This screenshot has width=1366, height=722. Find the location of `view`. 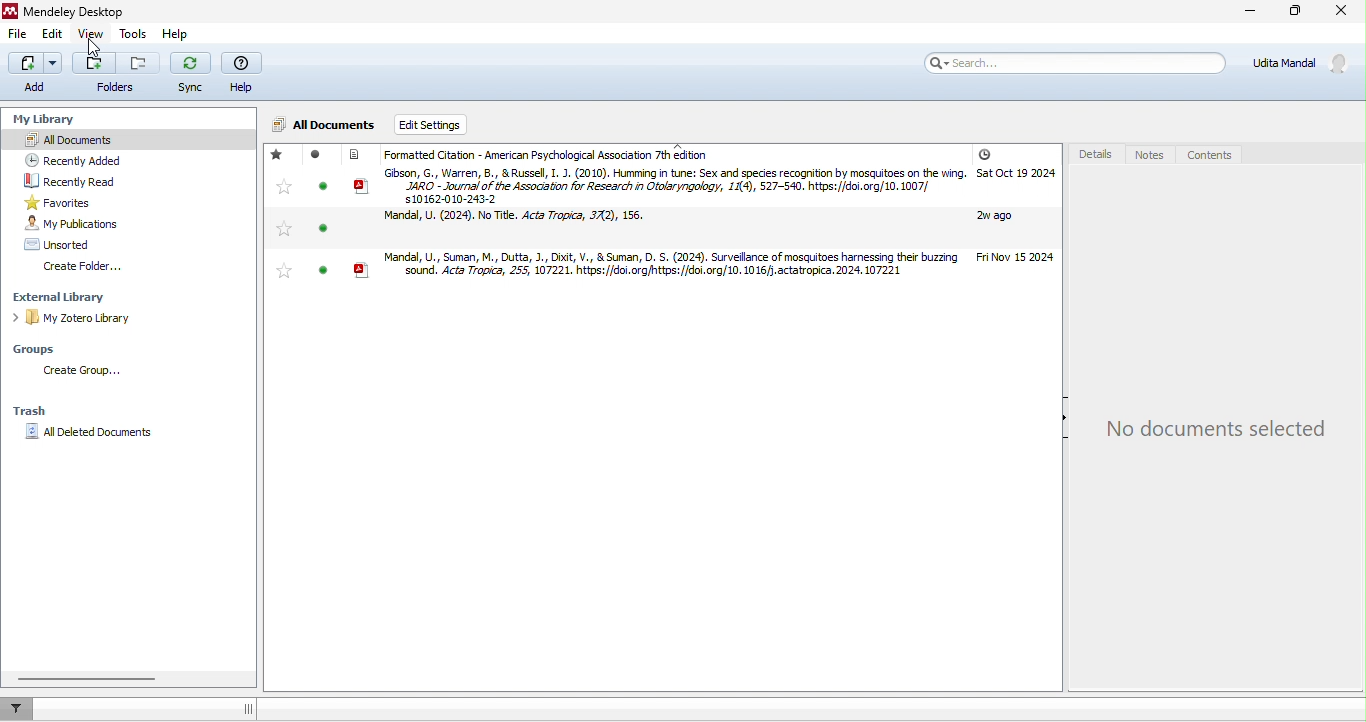

view is located at coordinates (94, 35).